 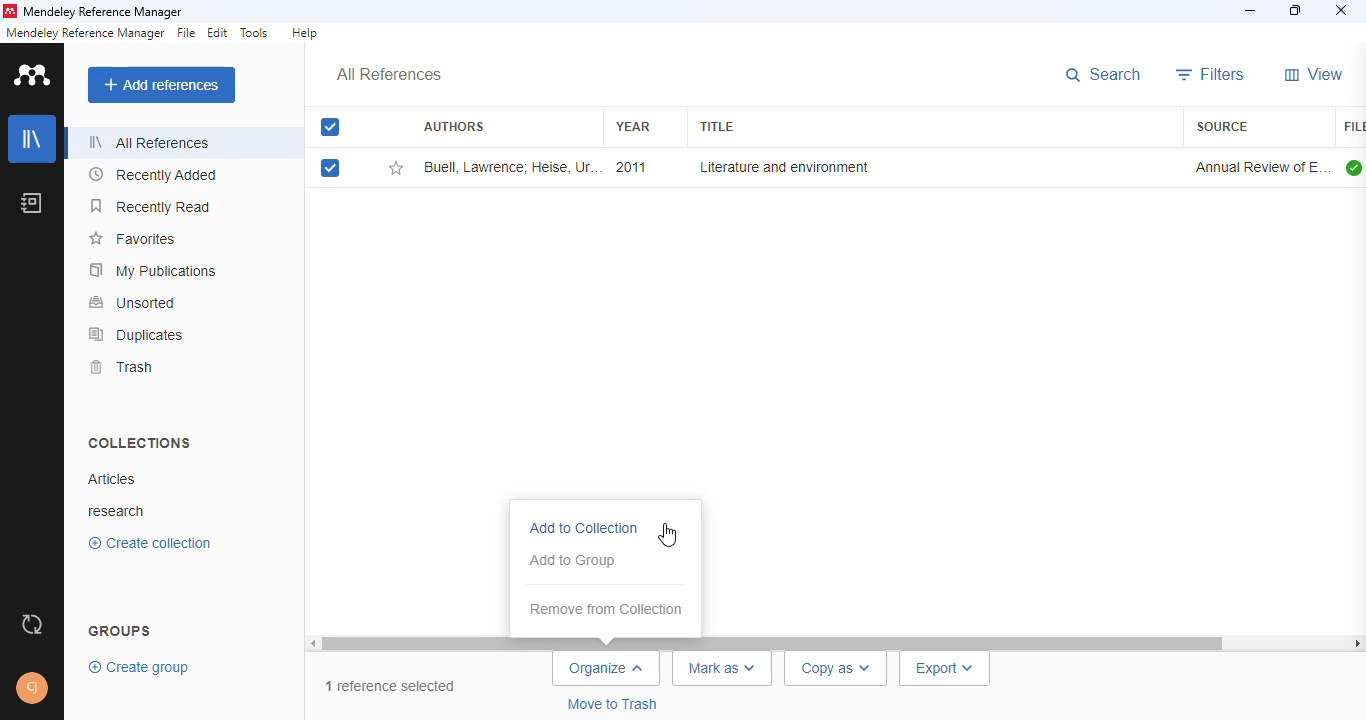 I want to click on all files downloaded, so click(x=1354, y=167).